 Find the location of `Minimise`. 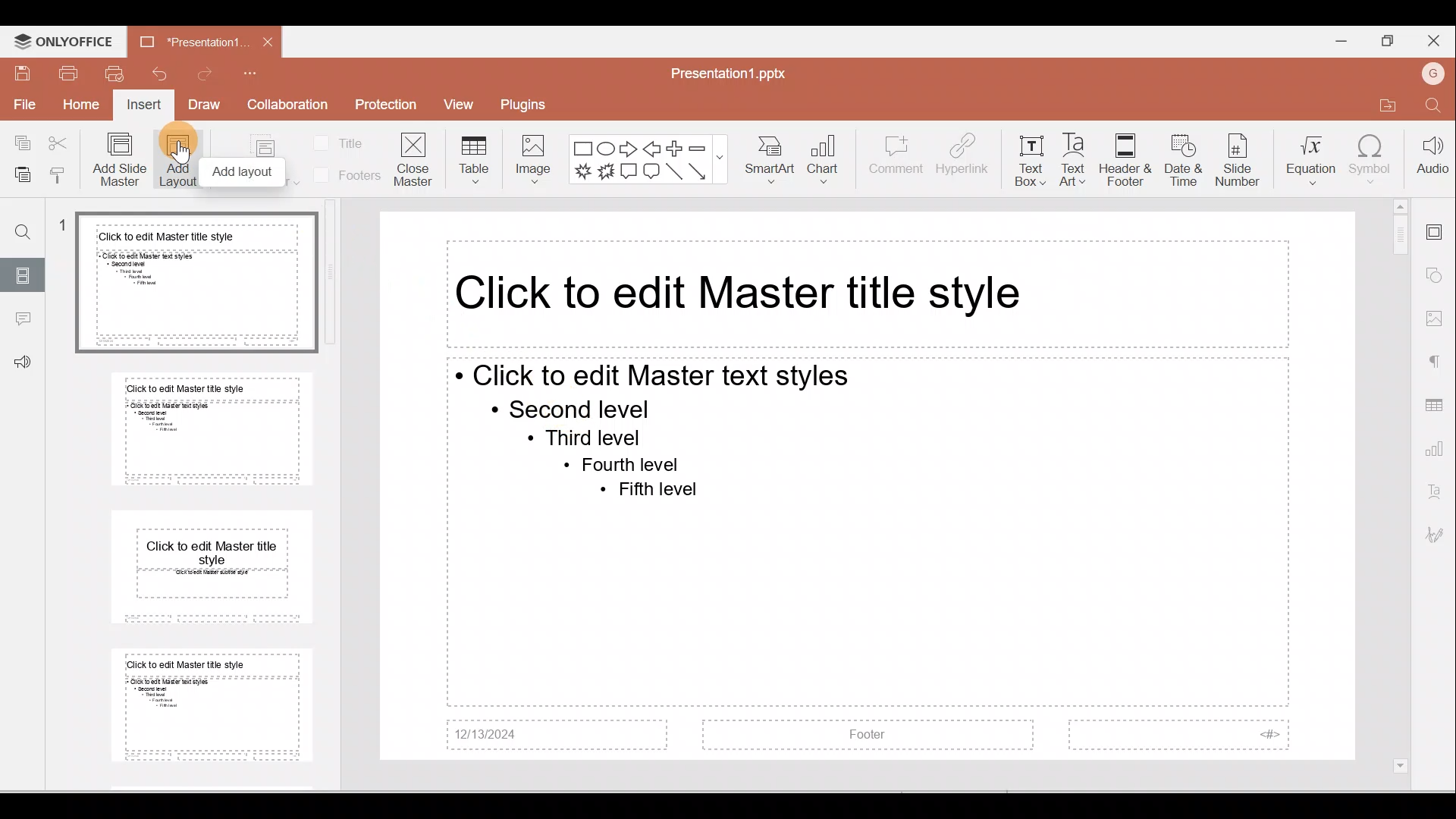

Minimise is located at coordinates (1336, 40).